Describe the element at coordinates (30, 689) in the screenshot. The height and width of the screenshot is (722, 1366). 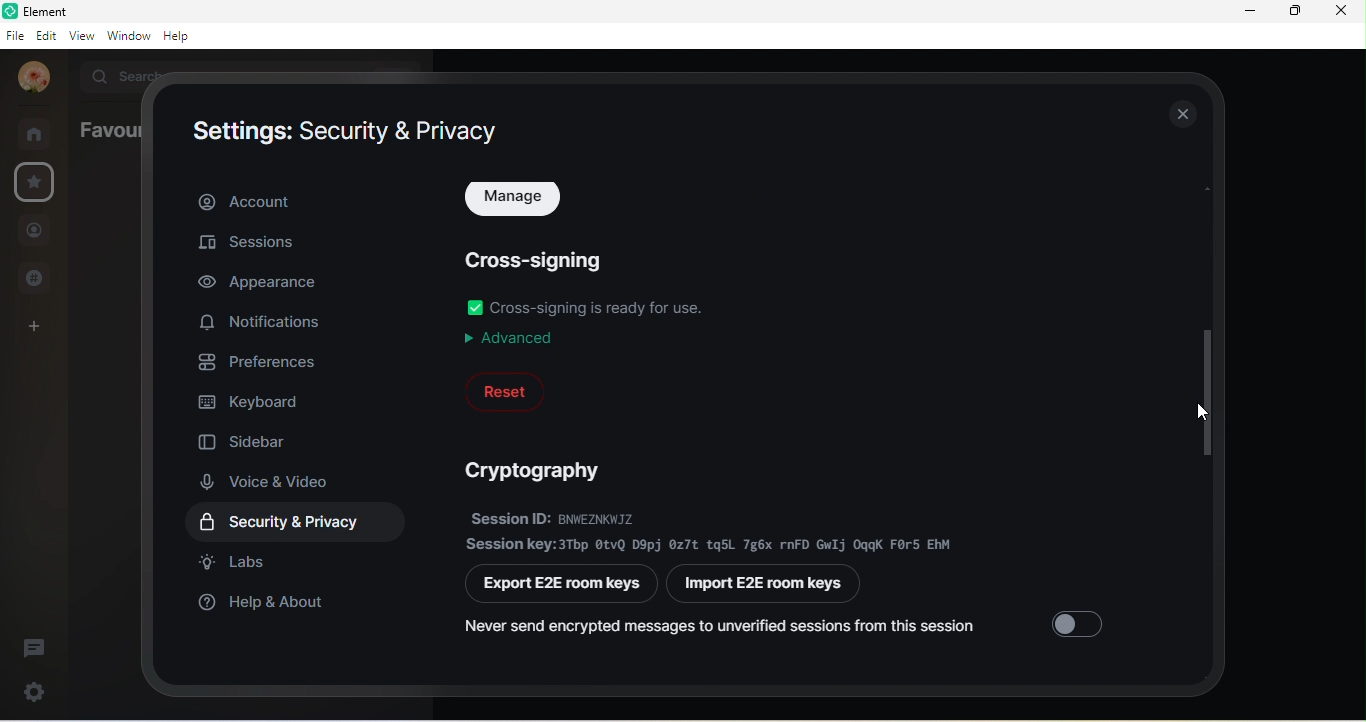
I see `quick settings` at that location.